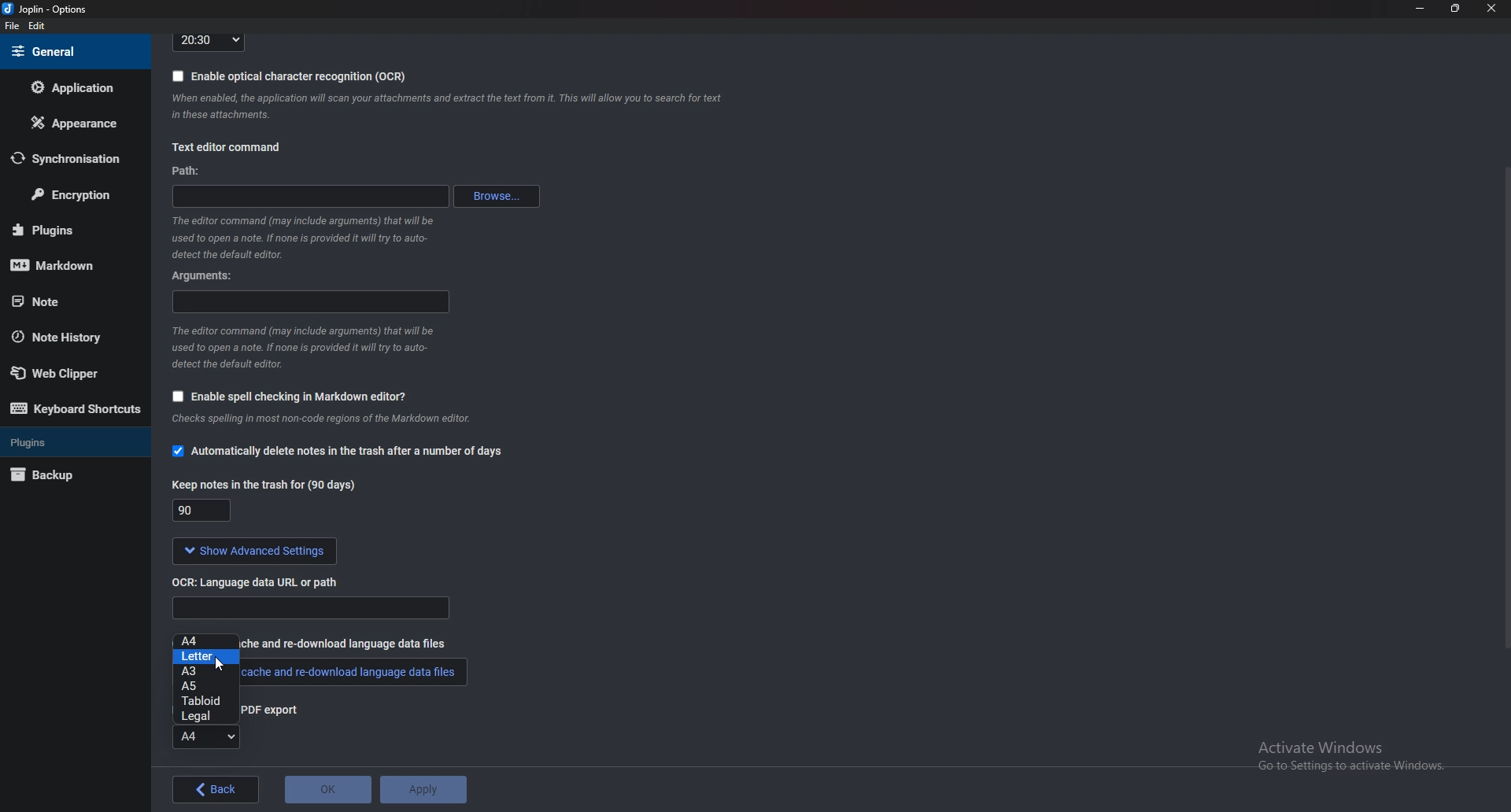  What do you see at coordinates (1422, 8) in the screenshot?
I see `Minimize` at bounding box center [1422, 8].